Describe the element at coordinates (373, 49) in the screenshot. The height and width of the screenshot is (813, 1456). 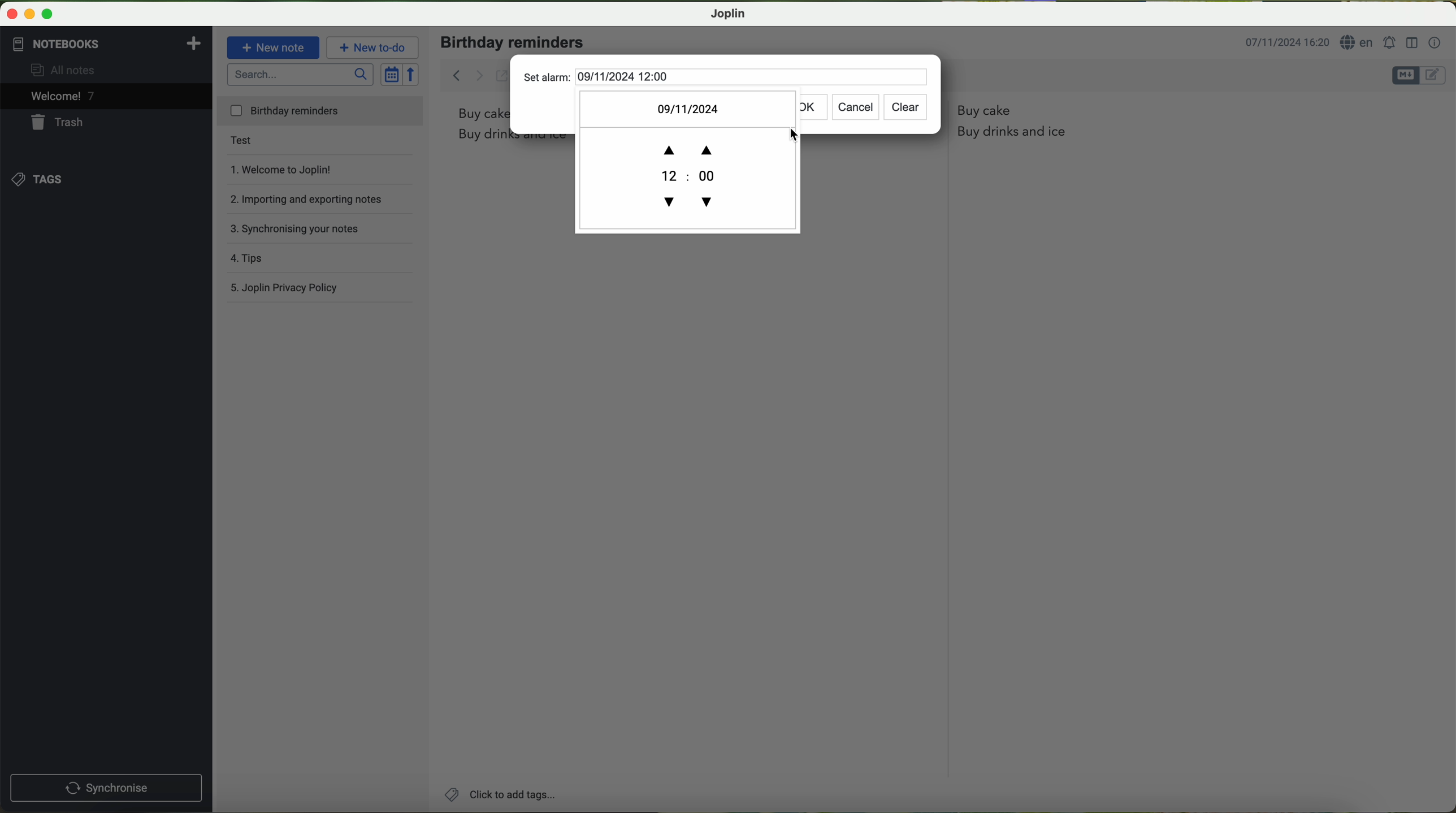
I see `new to-do button` at that location.